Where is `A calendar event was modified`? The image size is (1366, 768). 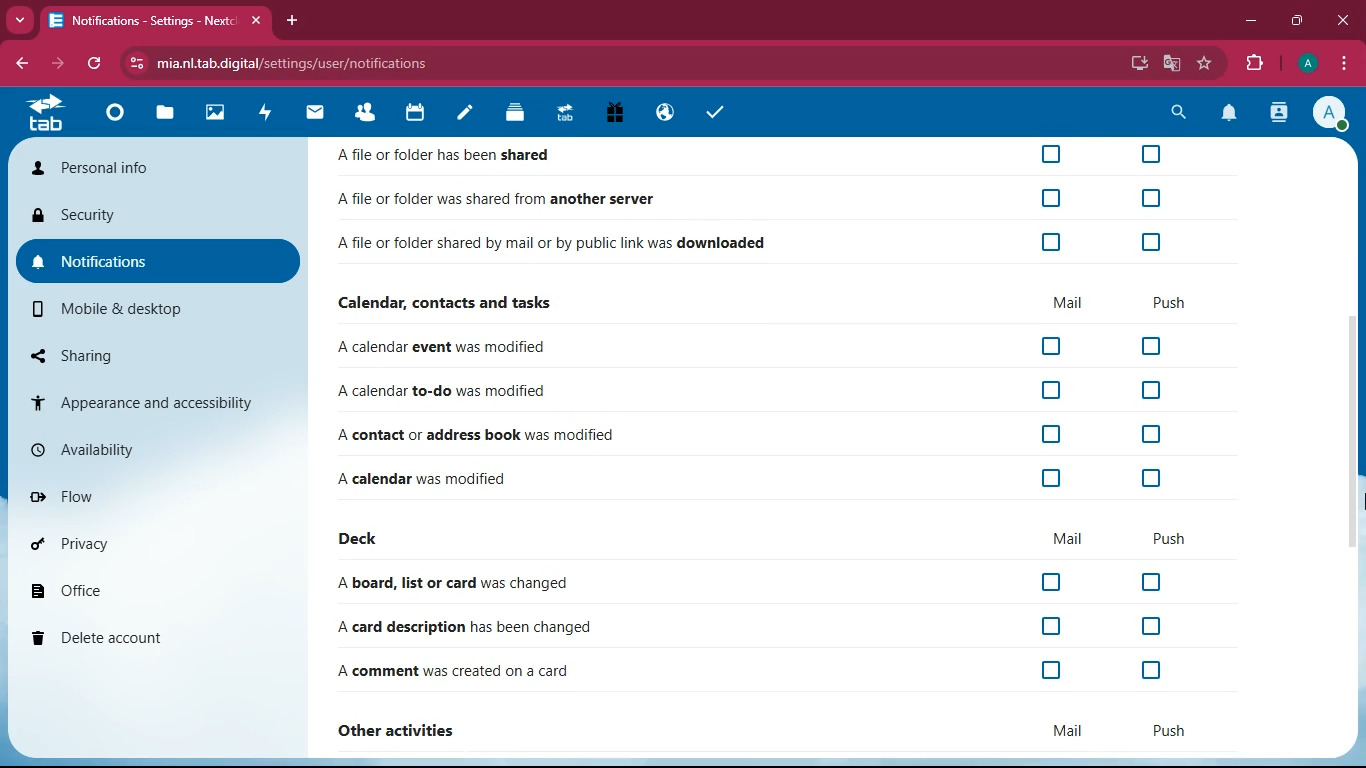 A calendar event was modified is located at coordinates (460, 349).